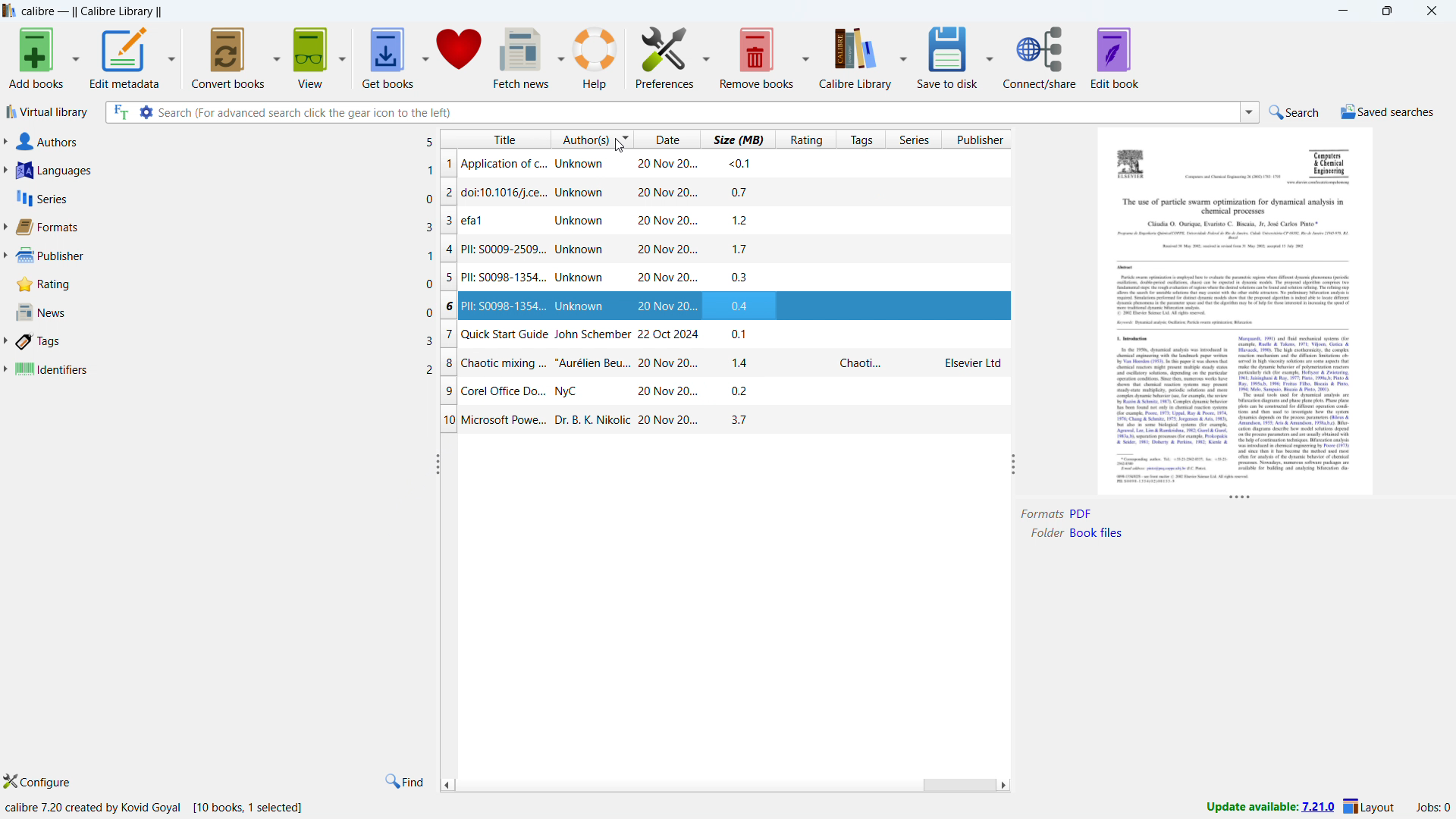 The image size is (1456, 819). I want to click on , so click(1181, 480).